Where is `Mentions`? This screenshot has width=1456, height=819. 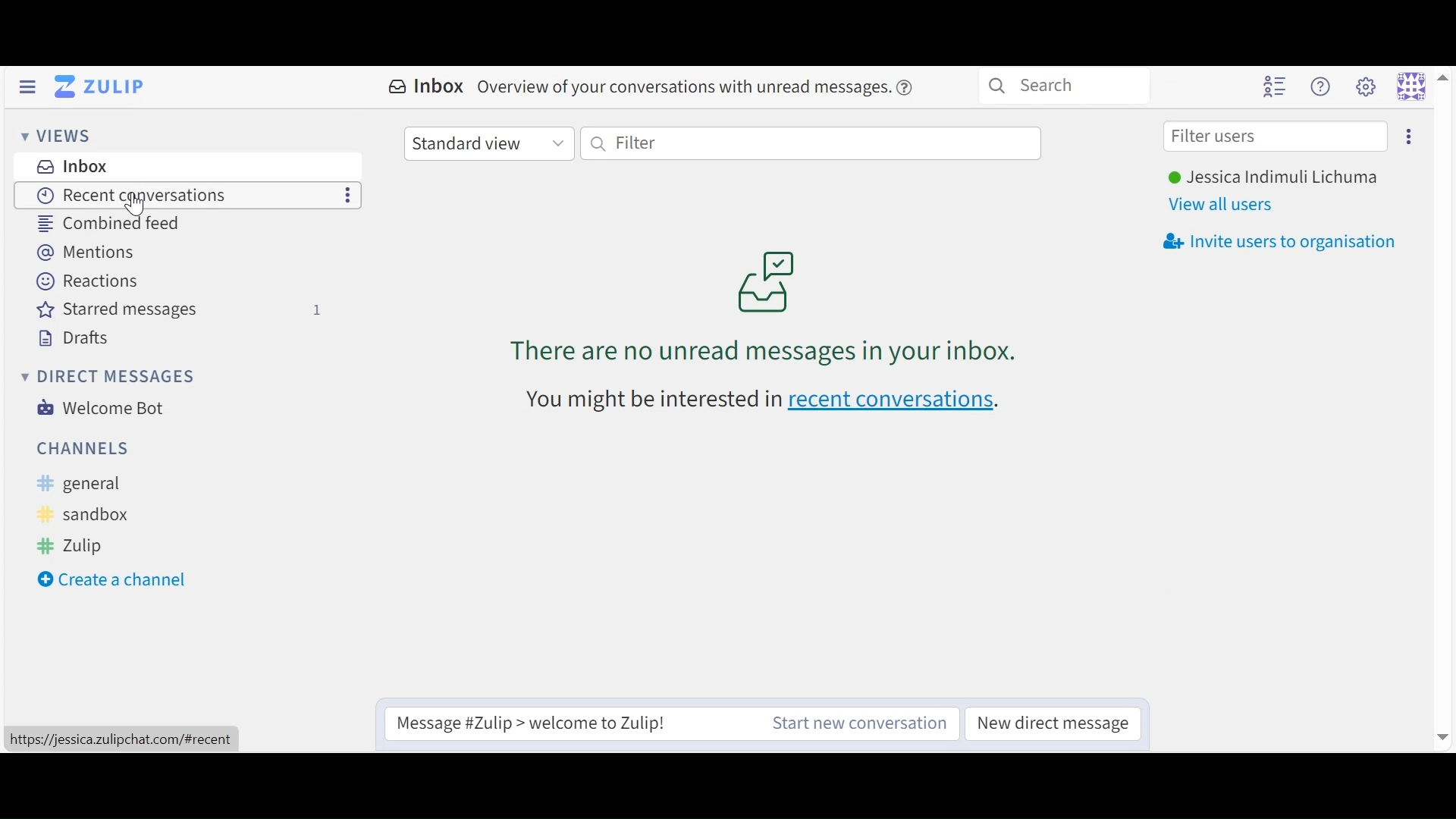 Mentions is located at coordinates (79, 253).